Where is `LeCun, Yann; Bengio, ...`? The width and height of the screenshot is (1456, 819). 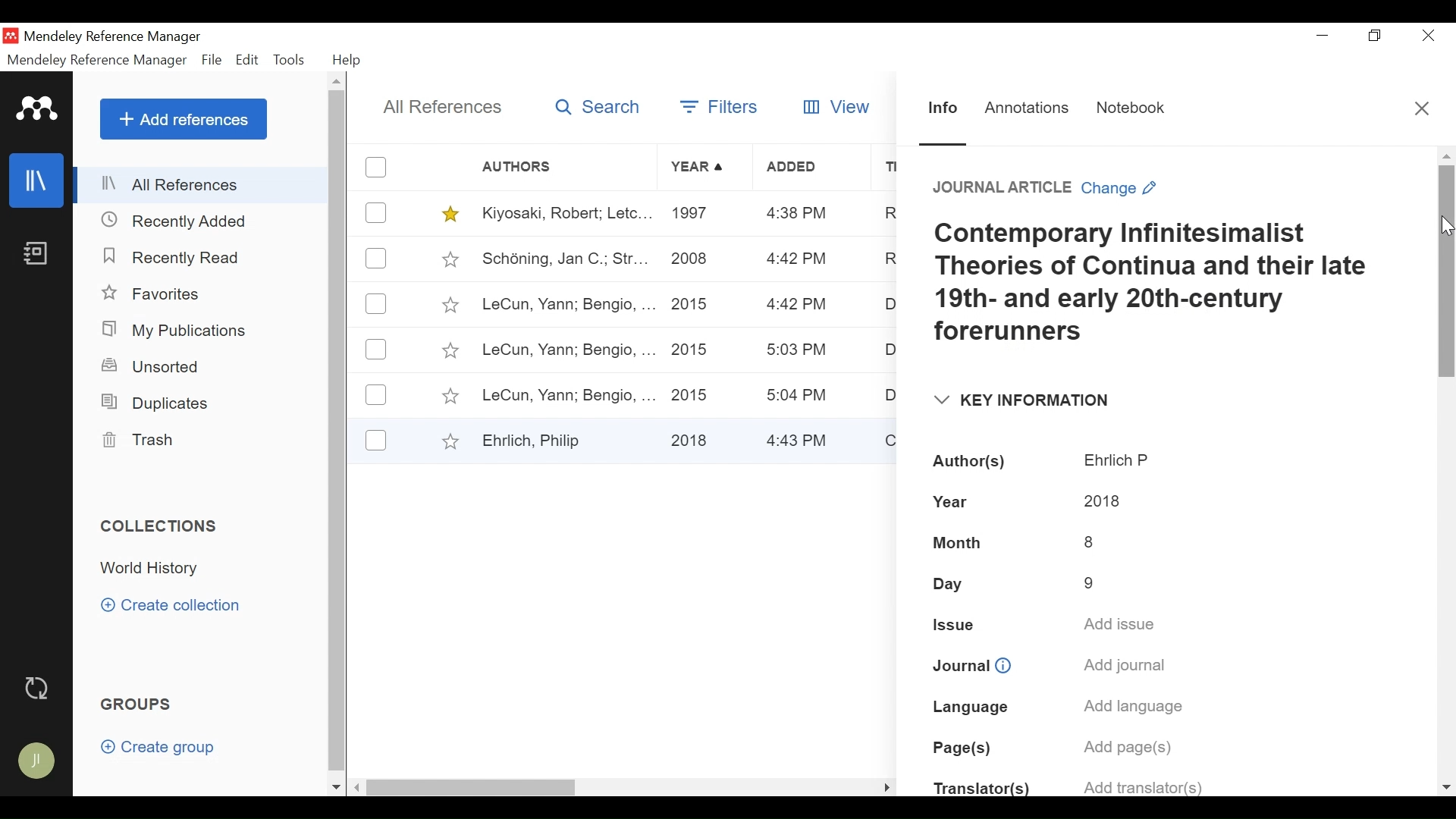 LeCun, Yann; Bengio, ... is located at coordinates (566, 350).